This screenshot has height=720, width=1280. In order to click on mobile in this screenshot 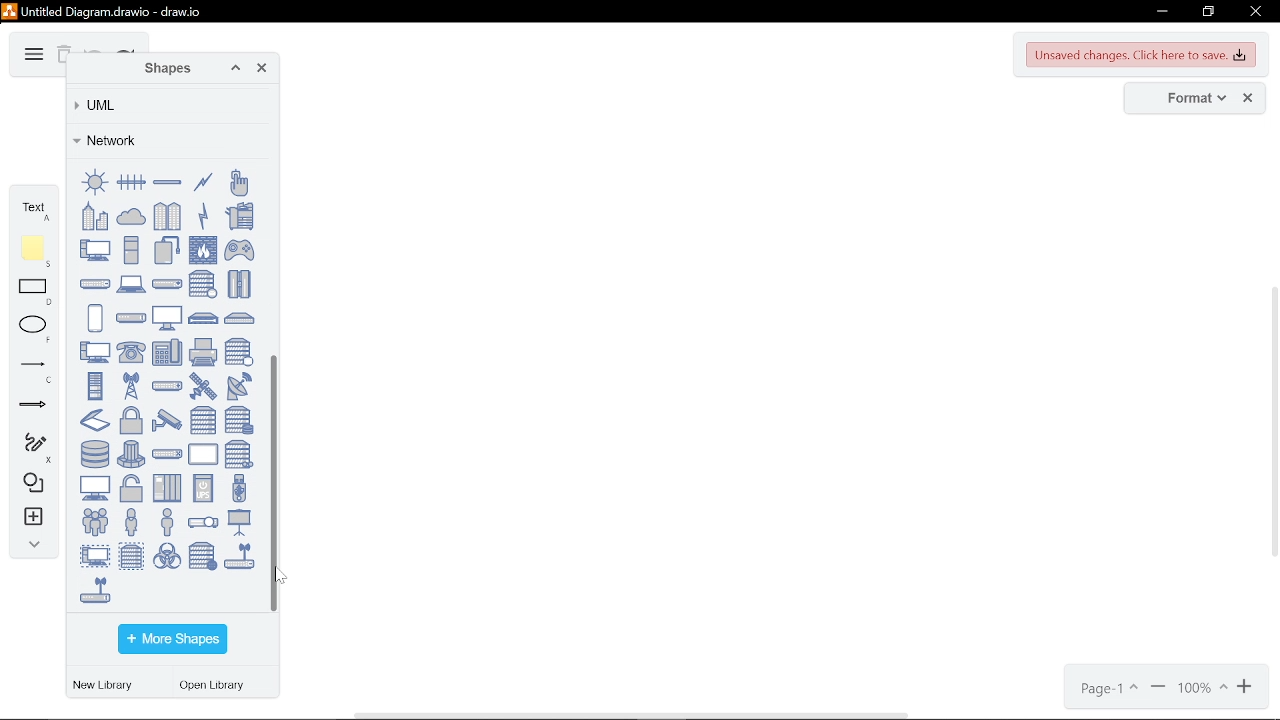, I will do `click(95, 318)`.